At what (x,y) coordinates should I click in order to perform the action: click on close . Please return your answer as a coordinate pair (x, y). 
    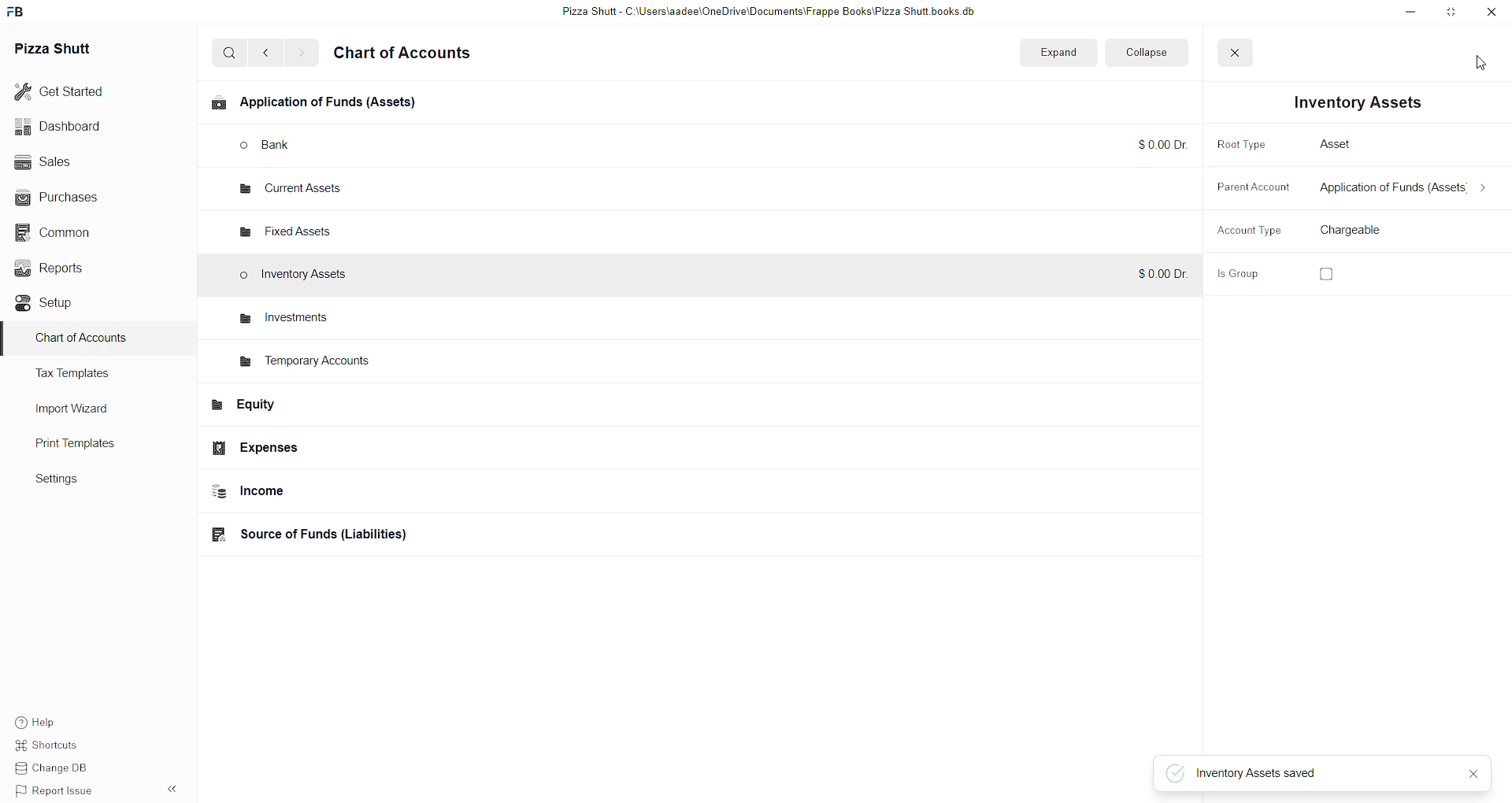
    Looking at the image, I should click on (1228, 53).